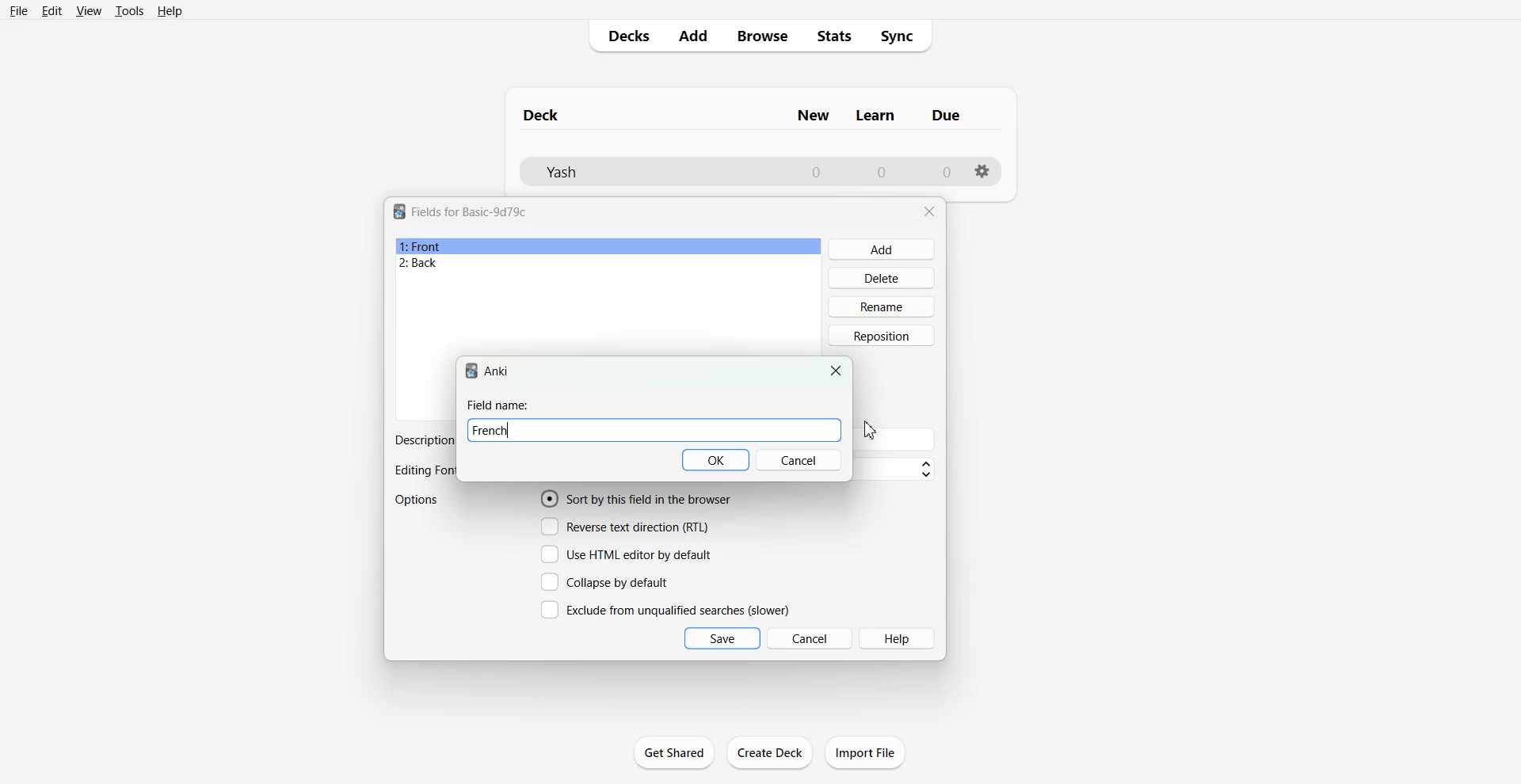 The height and width of the screenshot is (784, 1521). Describe the element at coordinates (882, 336) in the screenshot. I see `Reposition` at that location.